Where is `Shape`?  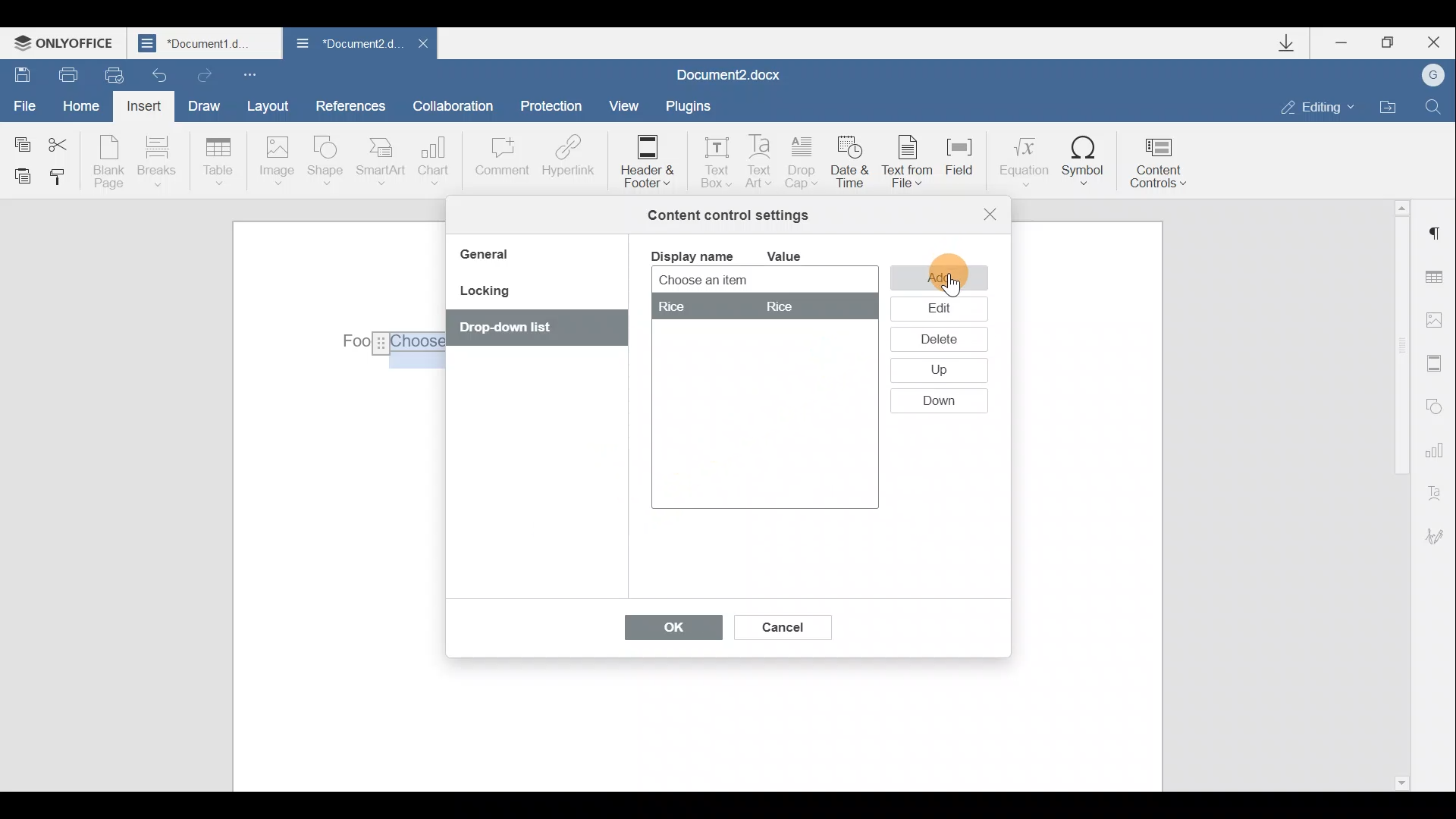 Shape is located at coordinates (328, 163).